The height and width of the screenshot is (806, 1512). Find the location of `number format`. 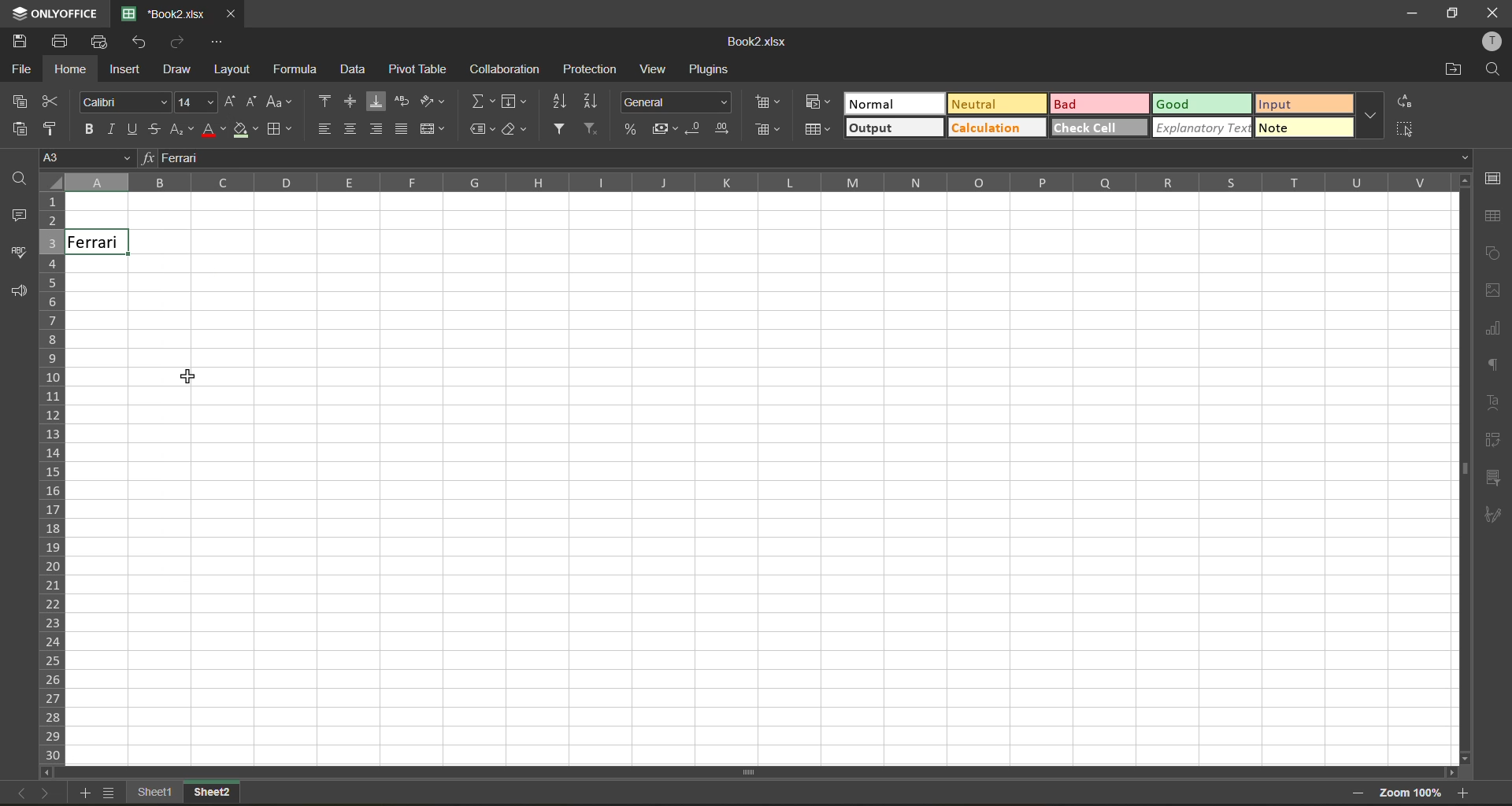

number format is located at coordinates (676, 102).